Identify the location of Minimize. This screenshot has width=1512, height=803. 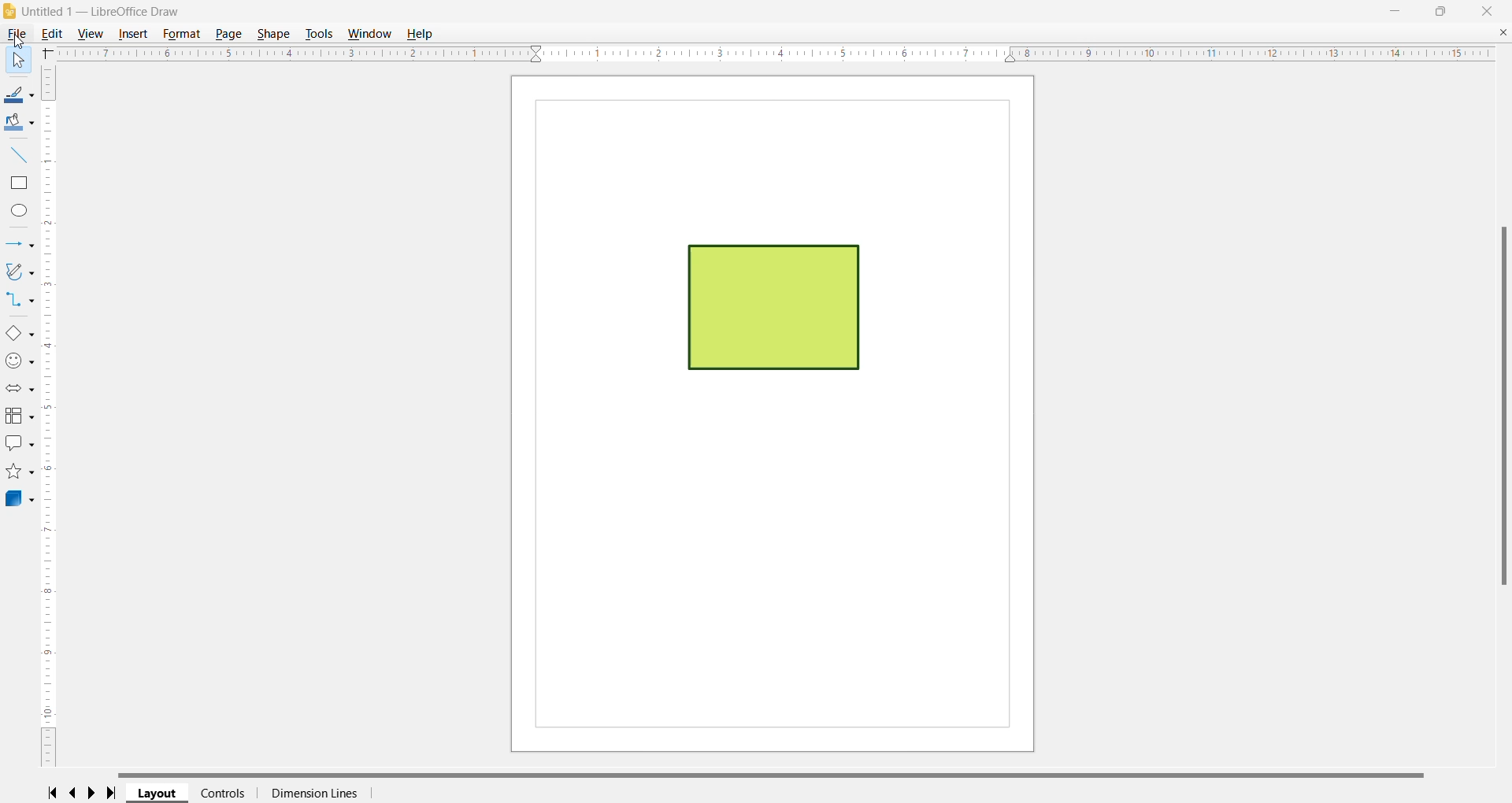
(1395, 9).